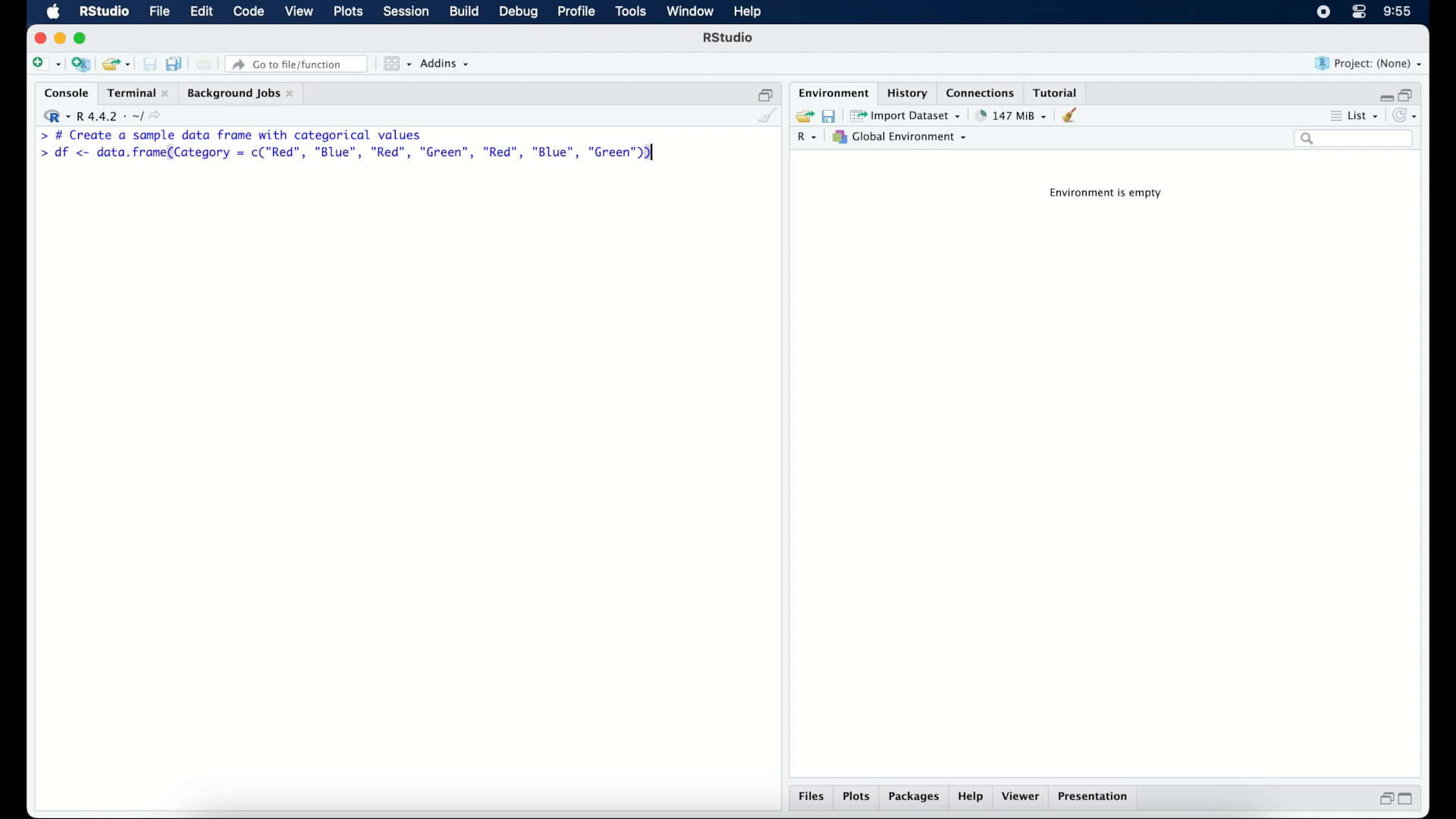 The image size is (1456, 819). Describe the element at coordinates (1333, 115) in the screenshot. I see `more options` at that location.